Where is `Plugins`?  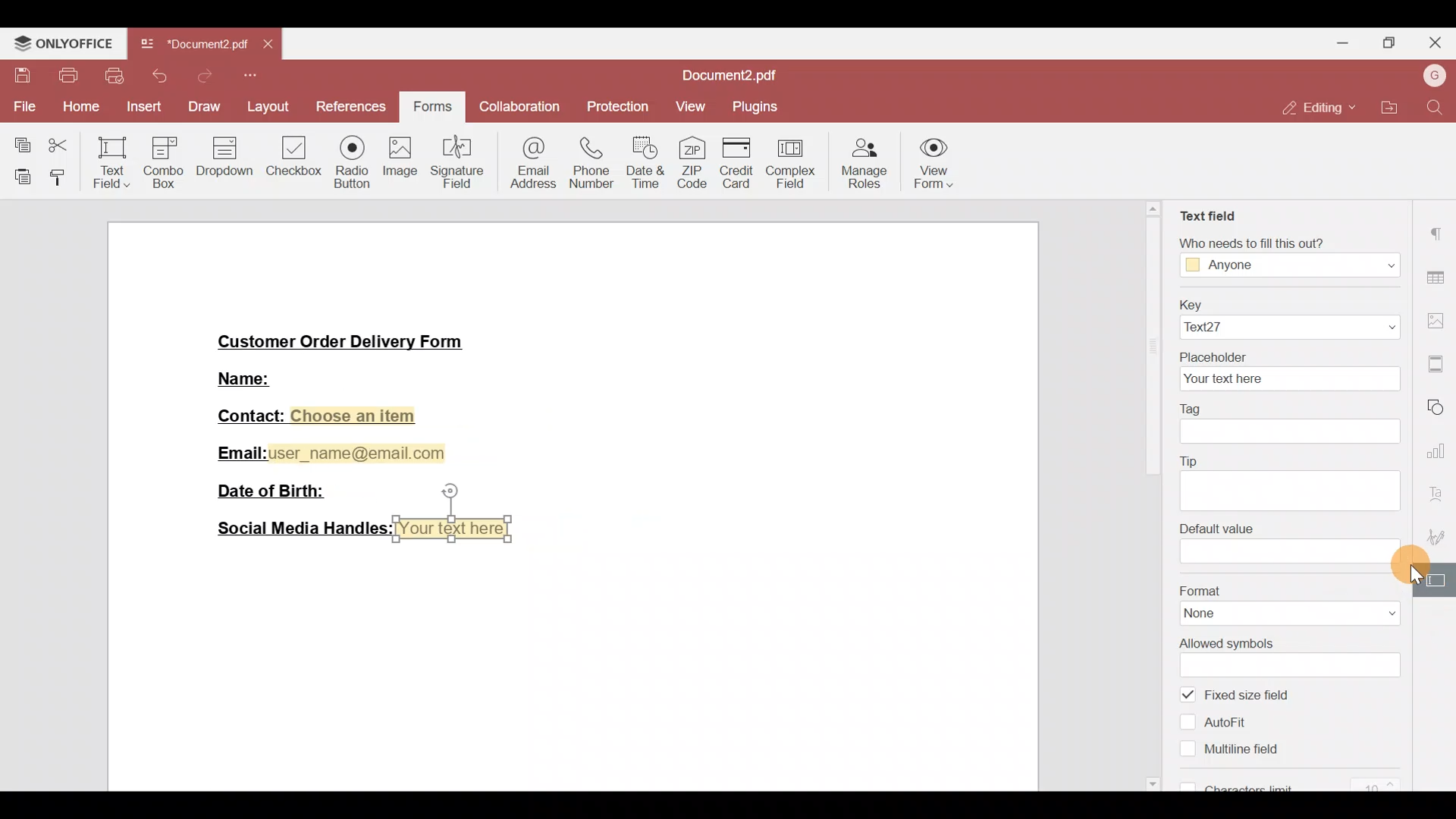
Plugins is located at coordinates (756, 107).